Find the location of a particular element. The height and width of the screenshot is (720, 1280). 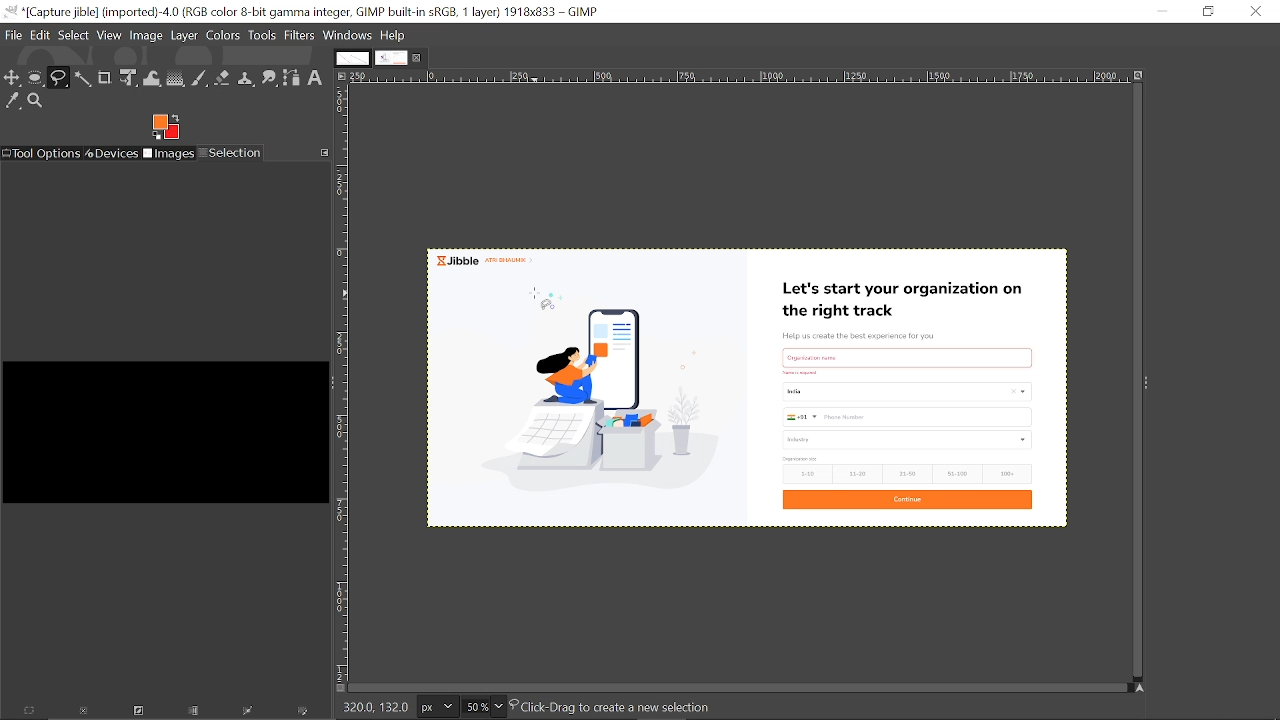

Foreground color is located at coordinates (167, 126).